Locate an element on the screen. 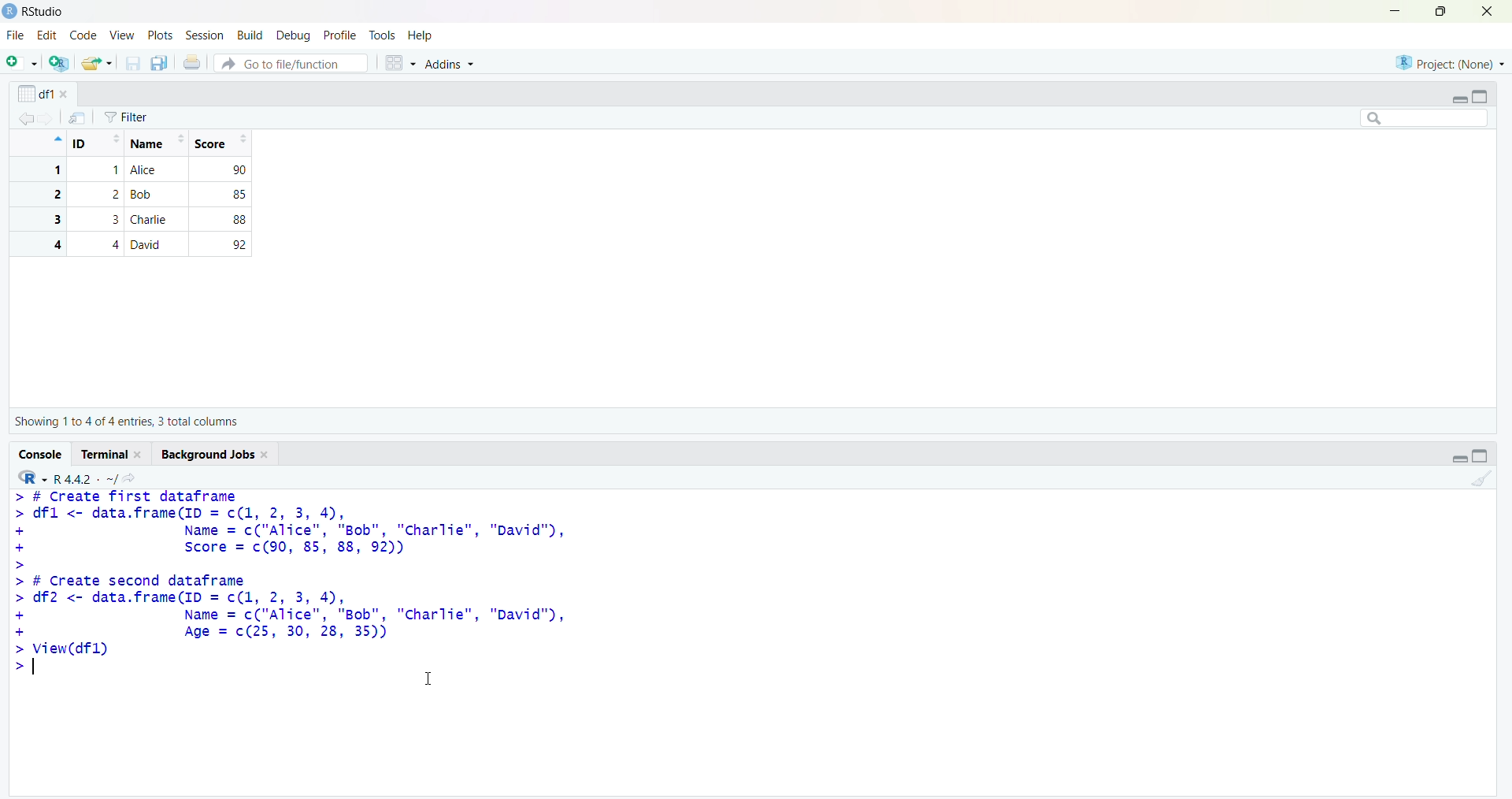 This screenshot has width=1512, height=799. Collapse/expand  is located at coordinates (1458, 100).